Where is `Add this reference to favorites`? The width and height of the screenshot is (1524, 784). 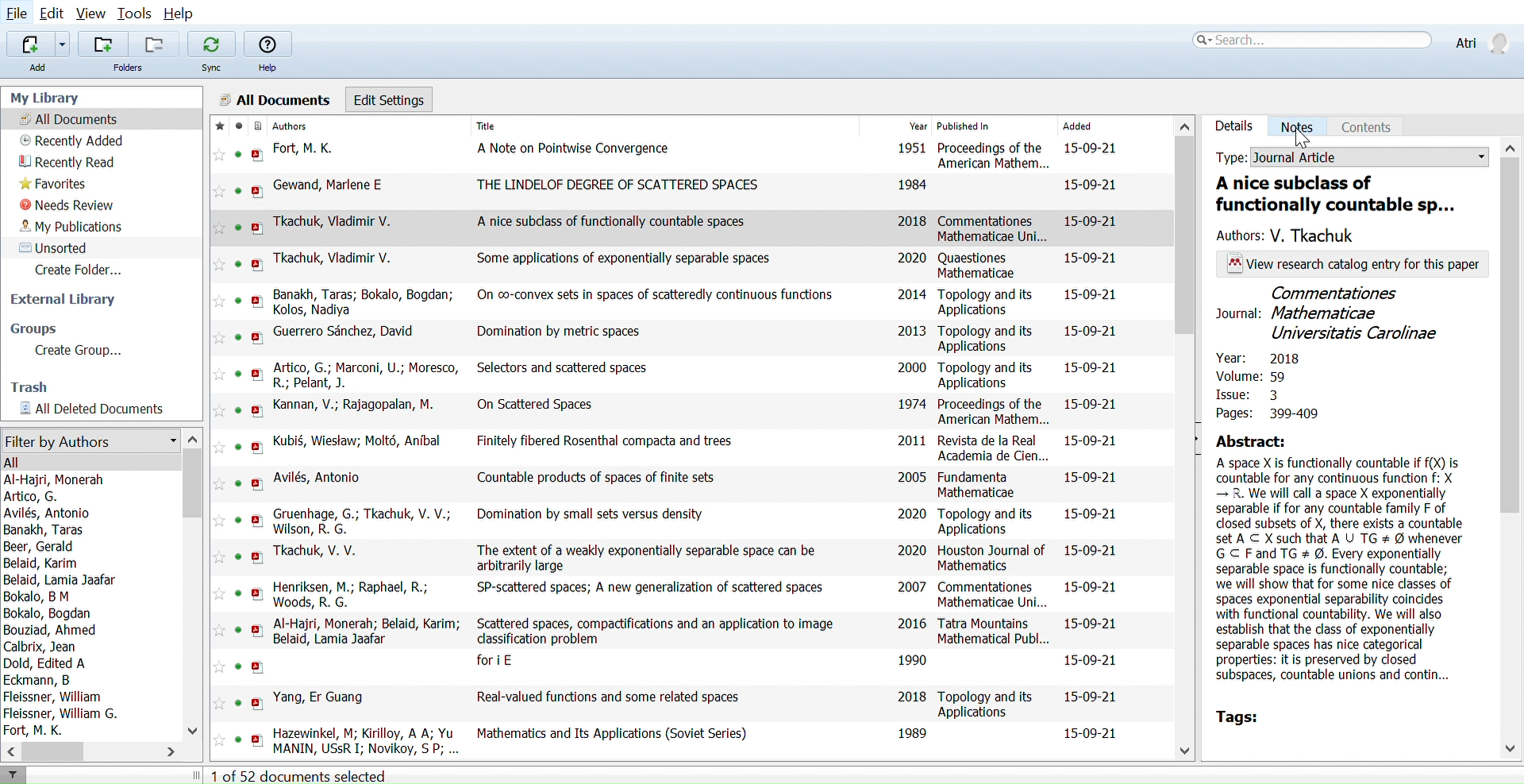 Add this reference to favorites is located at coordinates (219, 629).